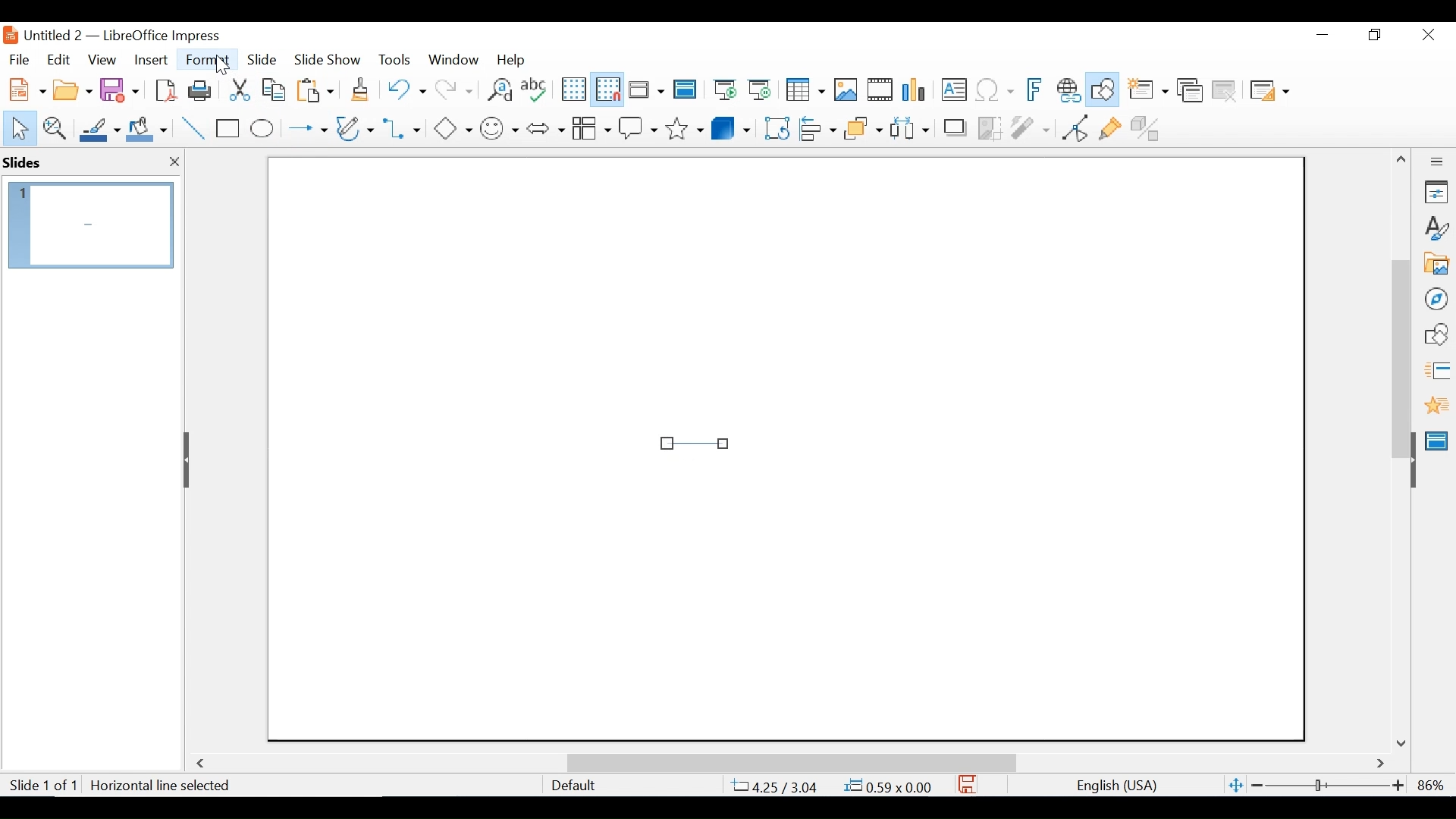 The image size is (1456, 819). I want to click on New, so click(24, 88).